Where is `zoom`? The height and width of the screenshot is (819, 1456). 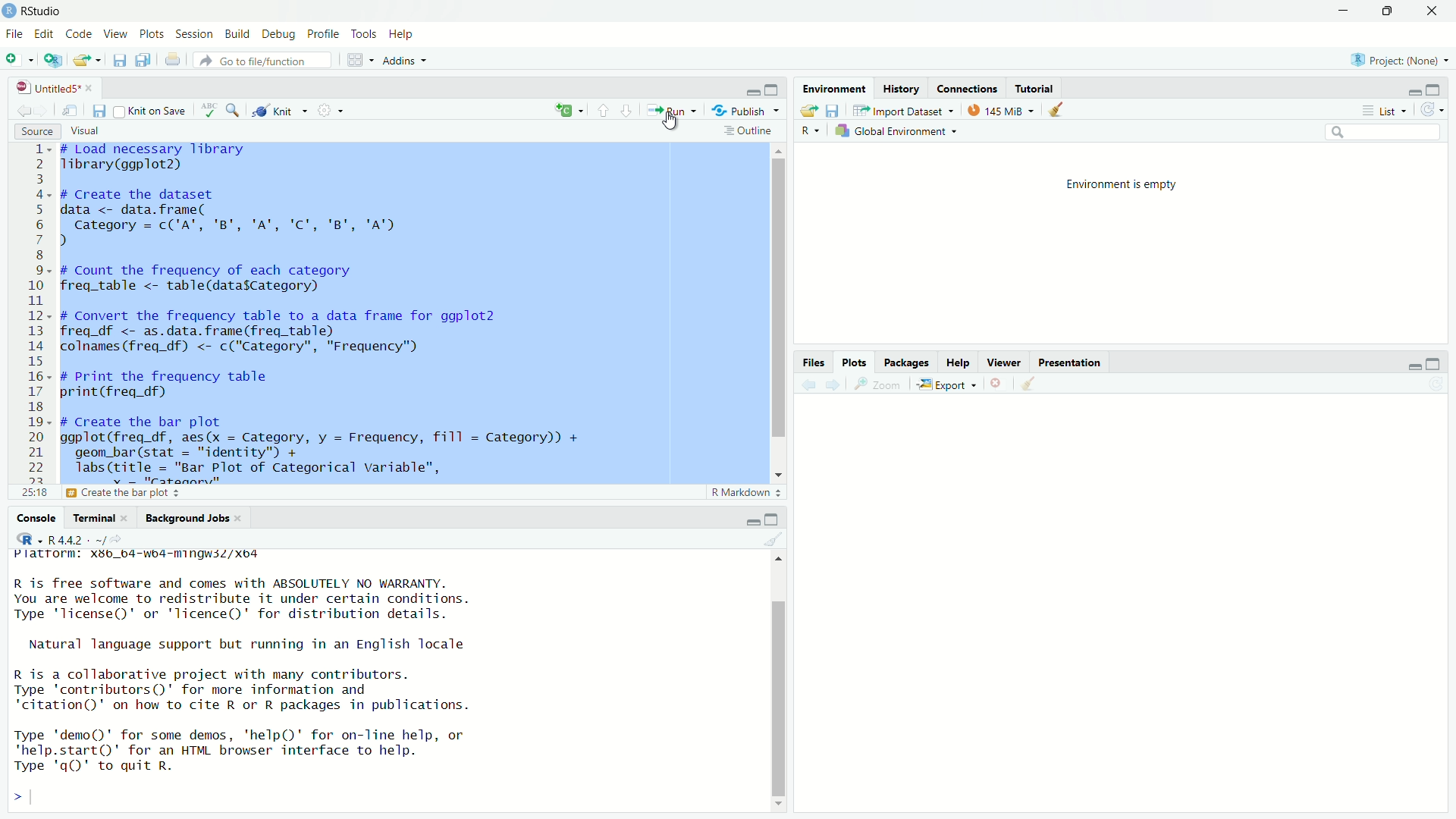 zoom is located at coordinates (879, 384).